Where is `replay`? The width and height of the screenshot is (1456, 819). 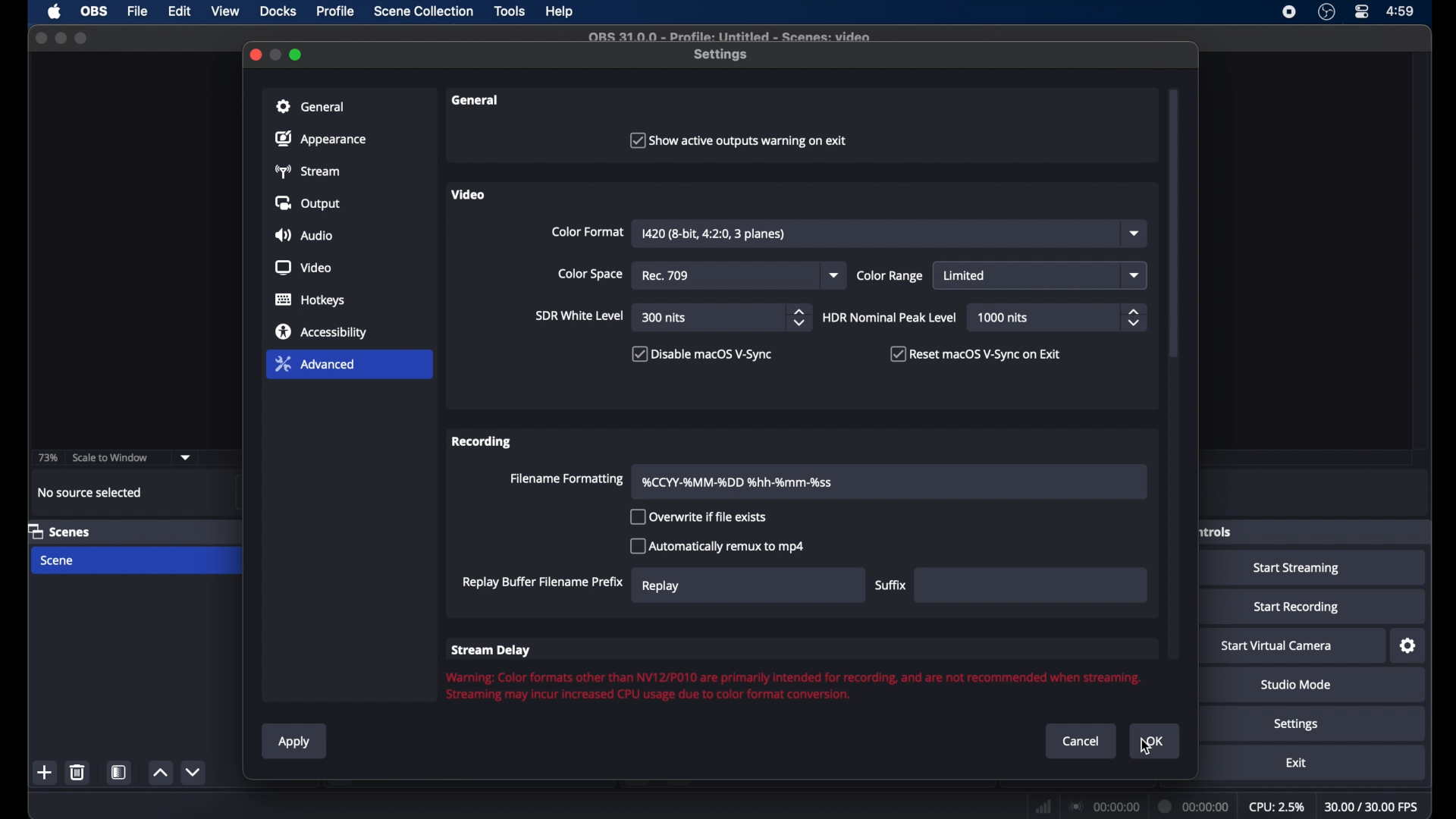 replay is located at coordinates (661, 586).